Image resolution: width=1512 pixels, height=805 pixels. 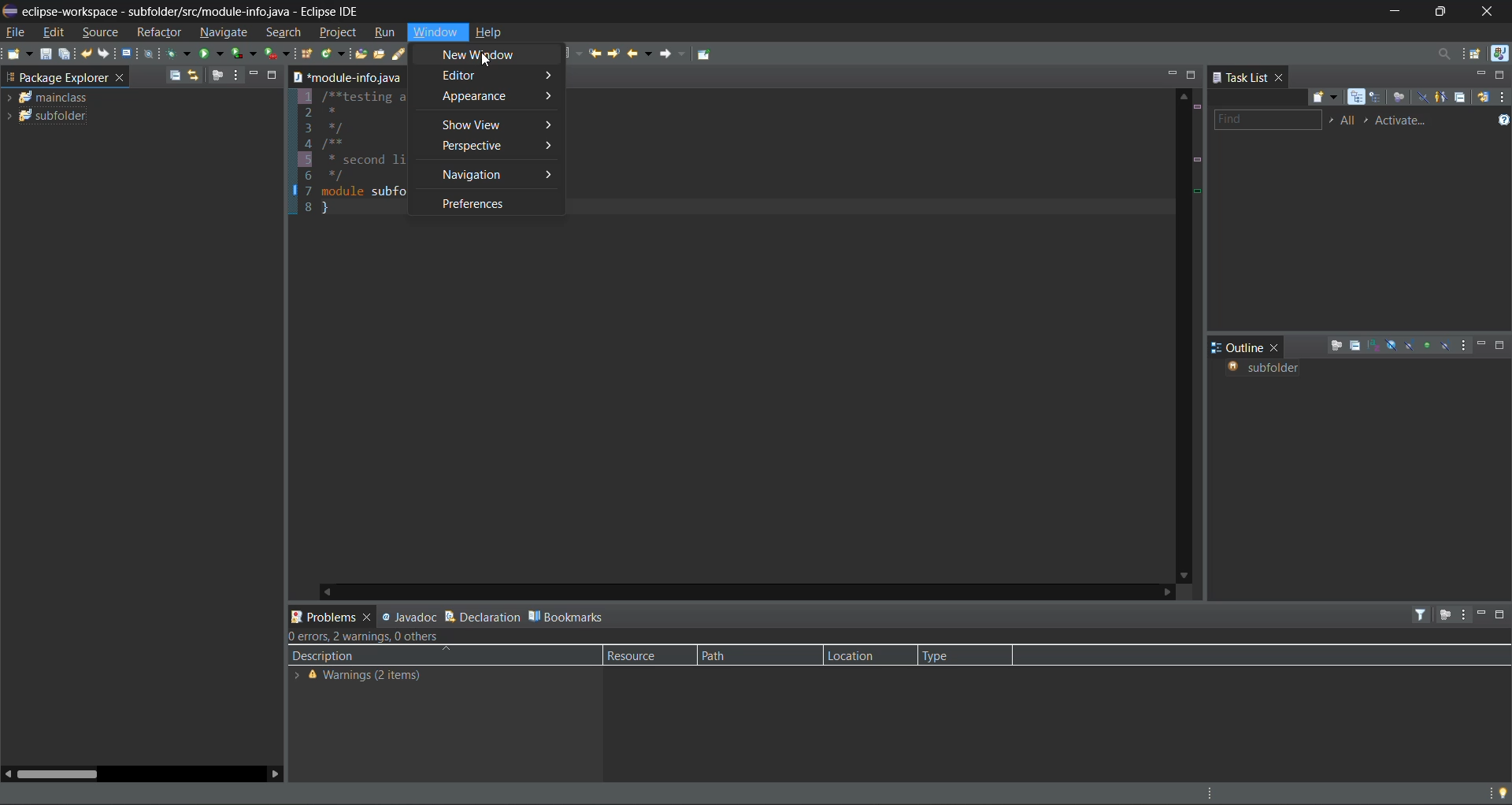 I want to click on task list, so click(x=1241, y=78).